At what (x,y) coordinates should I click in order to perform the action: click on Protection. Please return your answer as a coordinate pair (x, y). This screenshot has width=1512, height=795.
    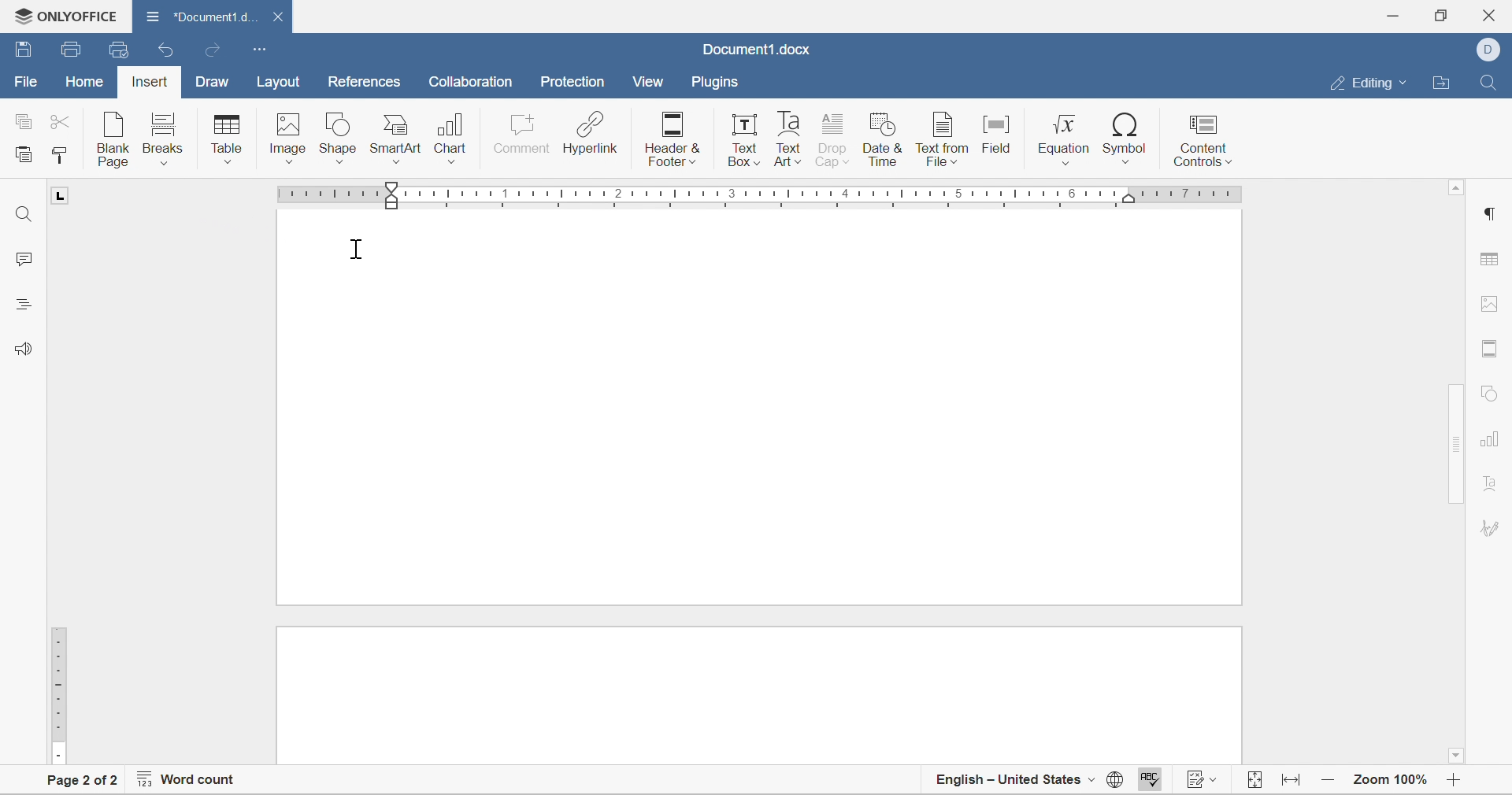
    Looking at the image, I should click on (571, 83).